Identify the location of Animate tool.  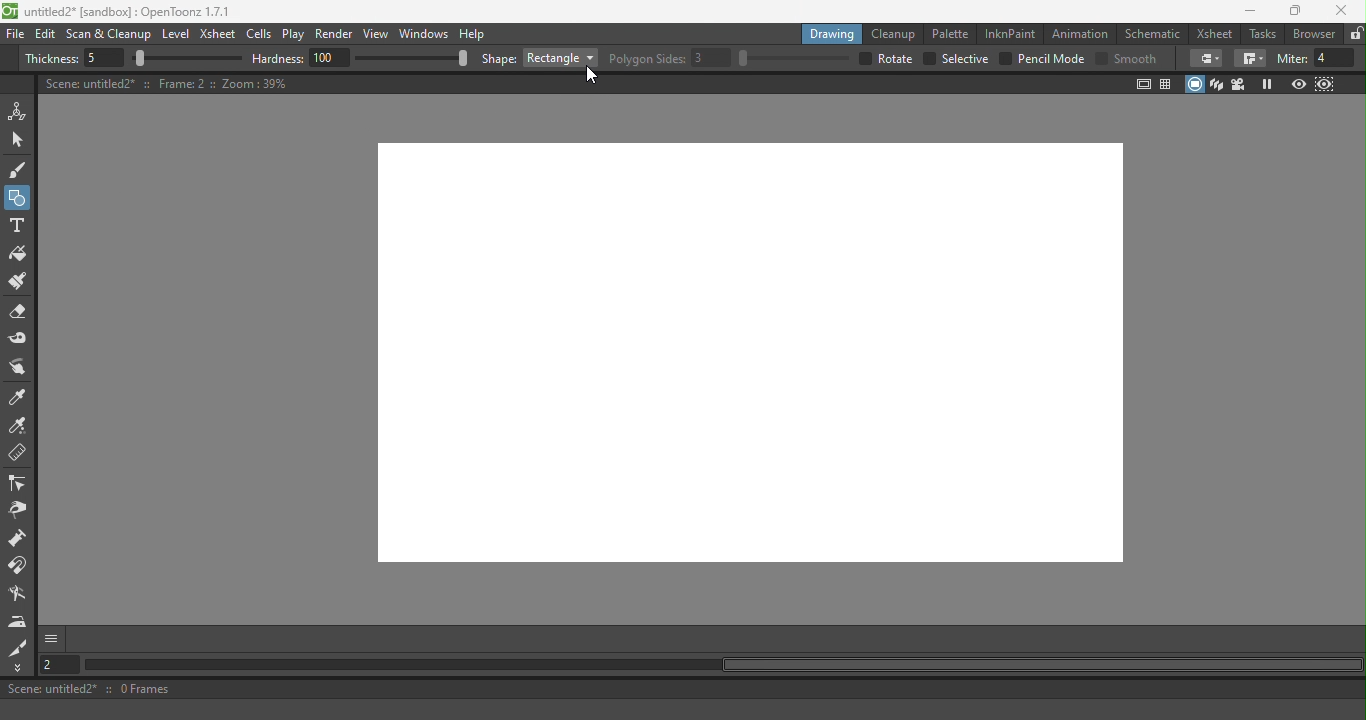
(20, 111).